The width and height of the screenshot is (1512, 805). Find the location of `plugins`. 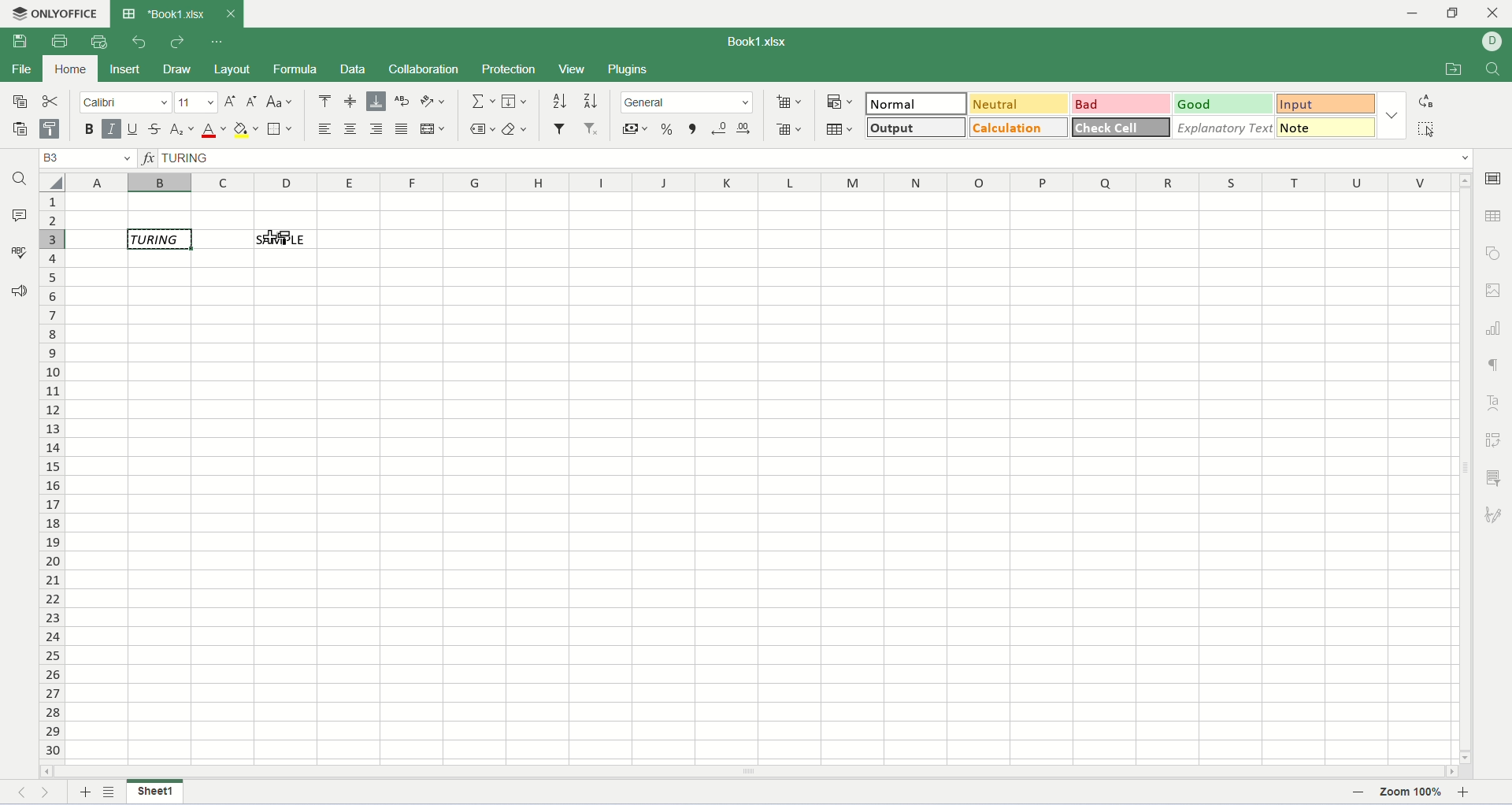

plugins is located at coordinates (627, 71).